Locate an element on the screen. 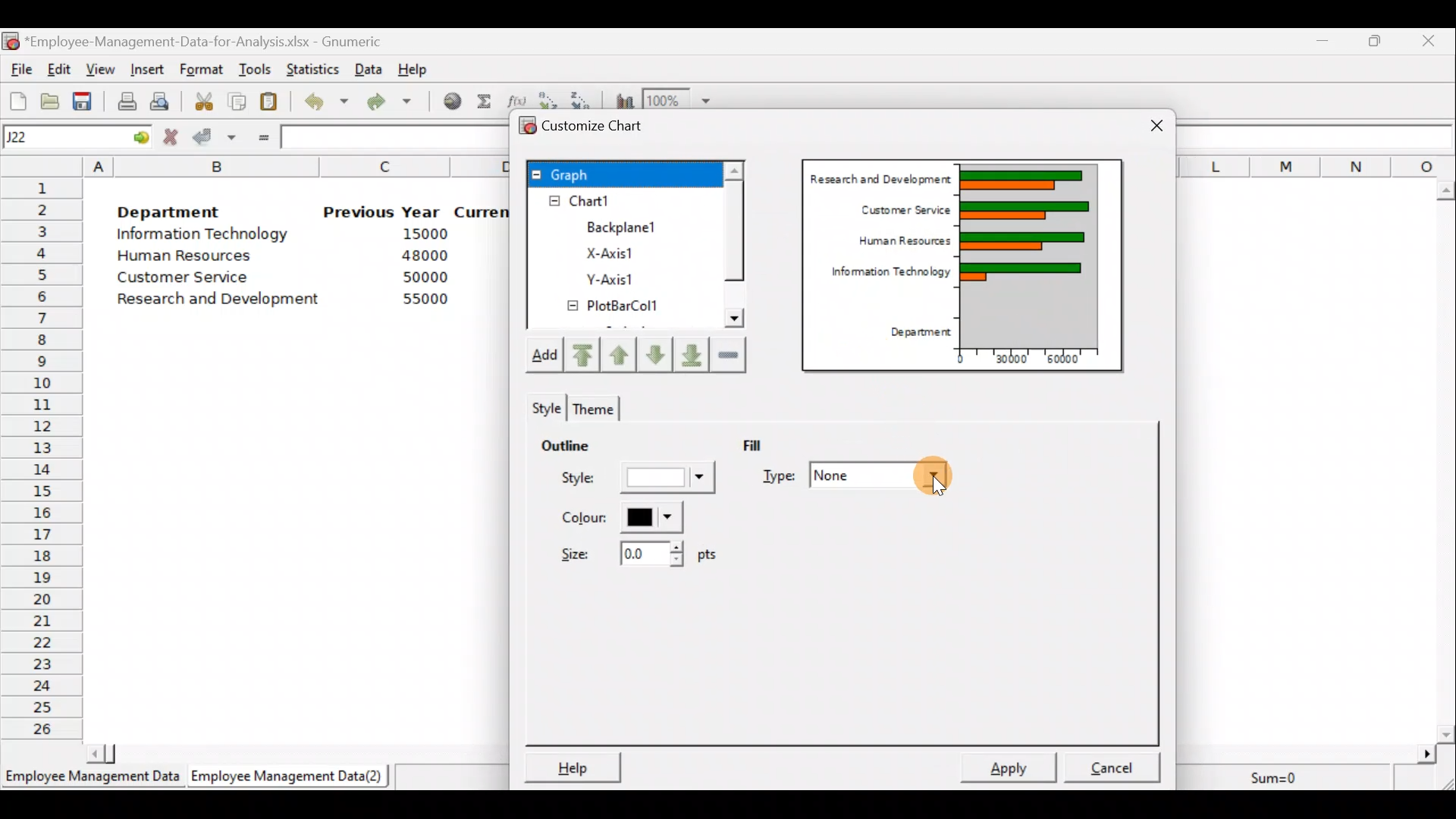 The width and height of the screenshot is (1456, 819). Enter formula is located at coordinates (261, 138).